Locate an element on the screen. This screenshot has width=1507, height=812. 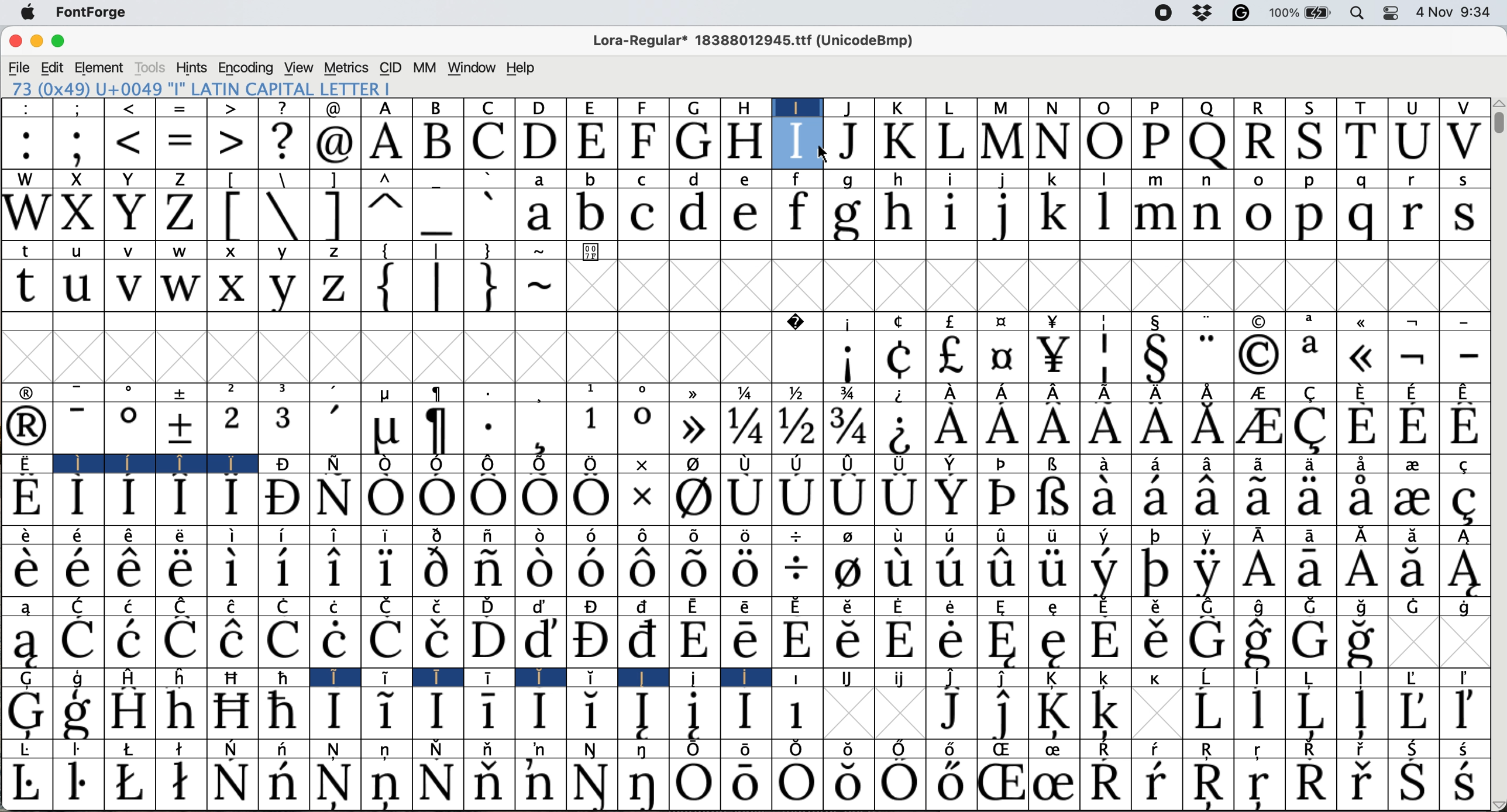
Symbol is located at coordinates (282, 464).